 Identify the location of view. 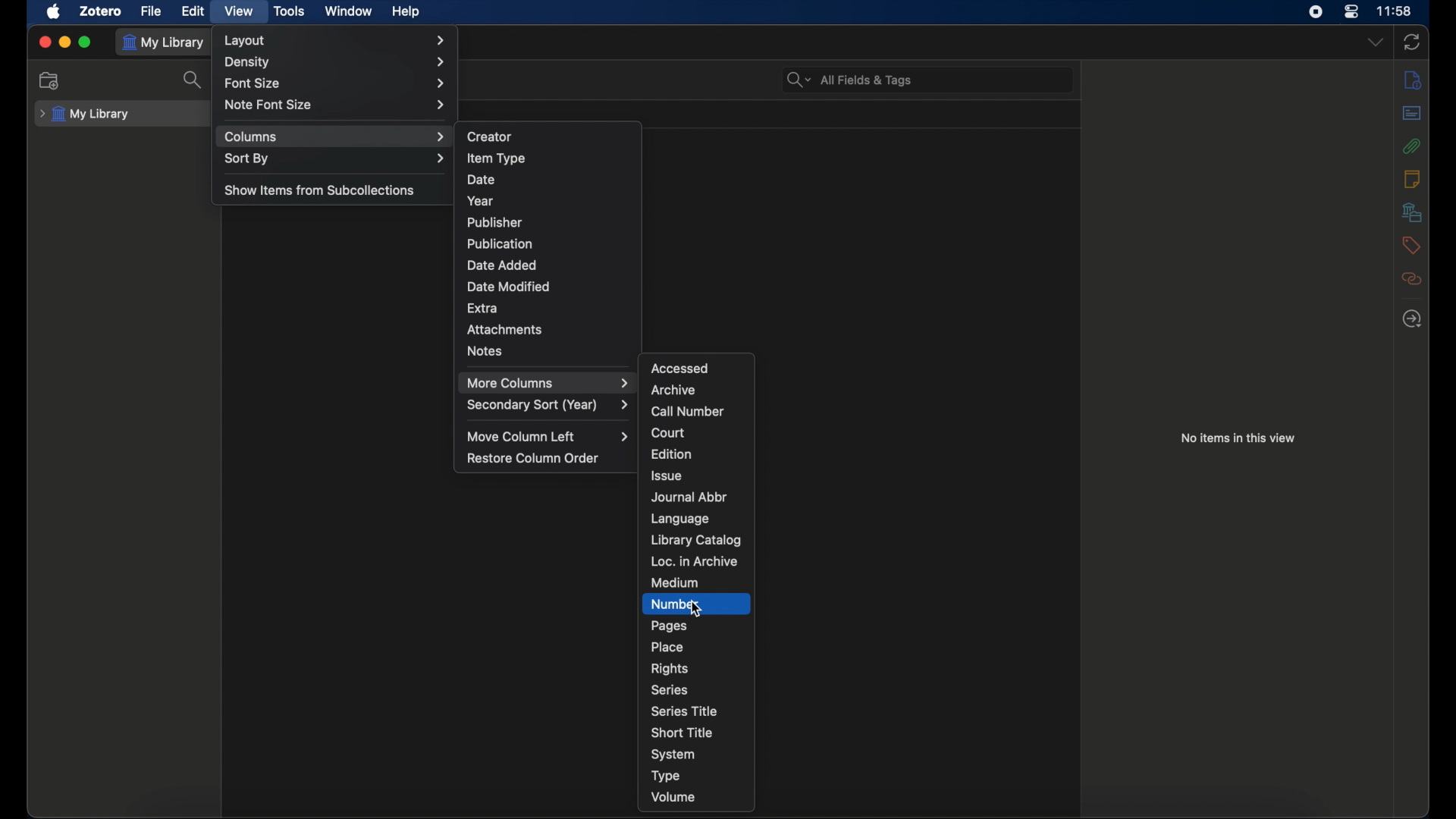
(240, 11).